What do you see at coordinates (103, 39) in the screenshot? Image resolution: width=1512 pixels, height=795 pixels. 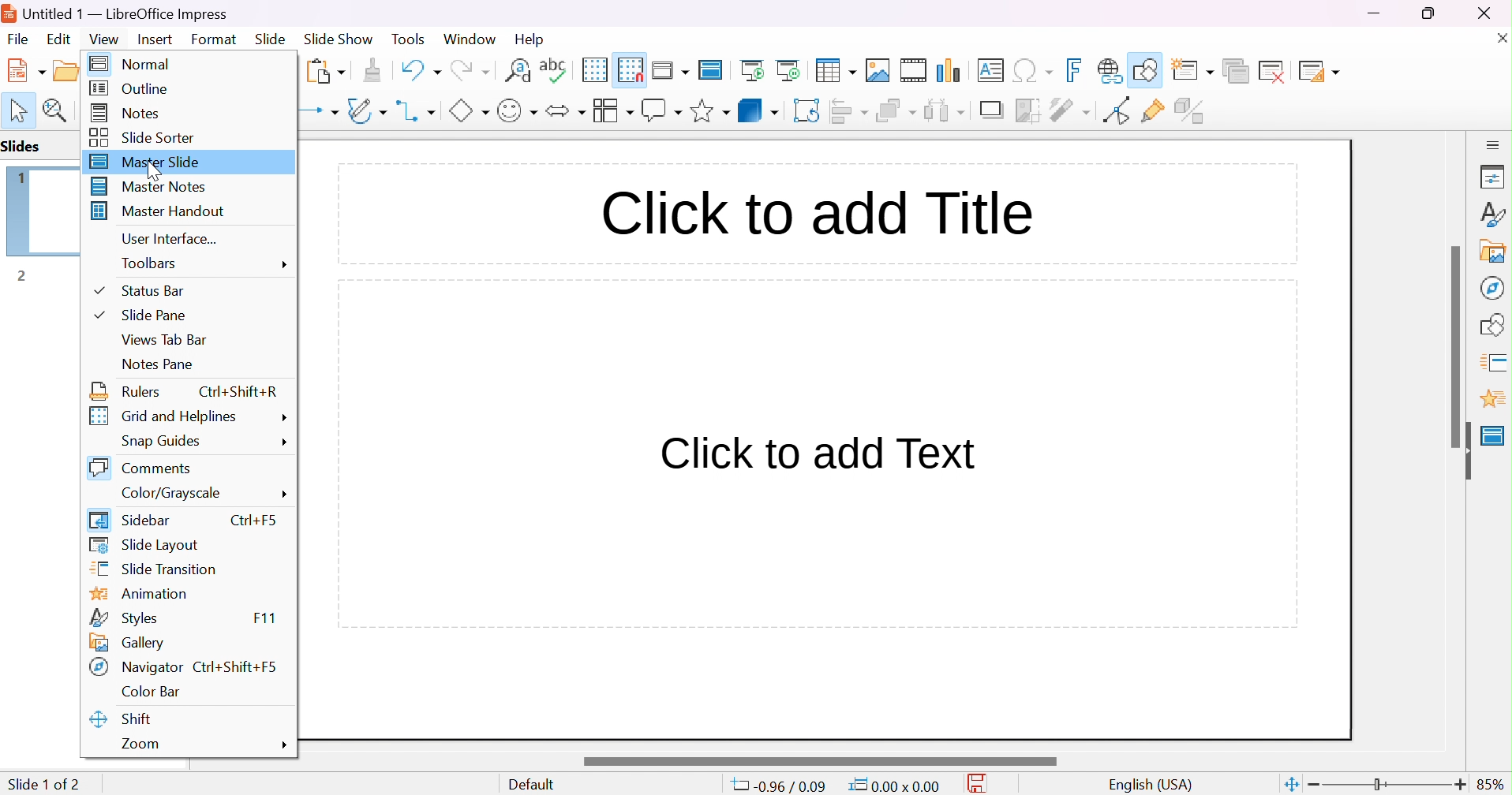 I see `view` at bounding box center [103, 39].